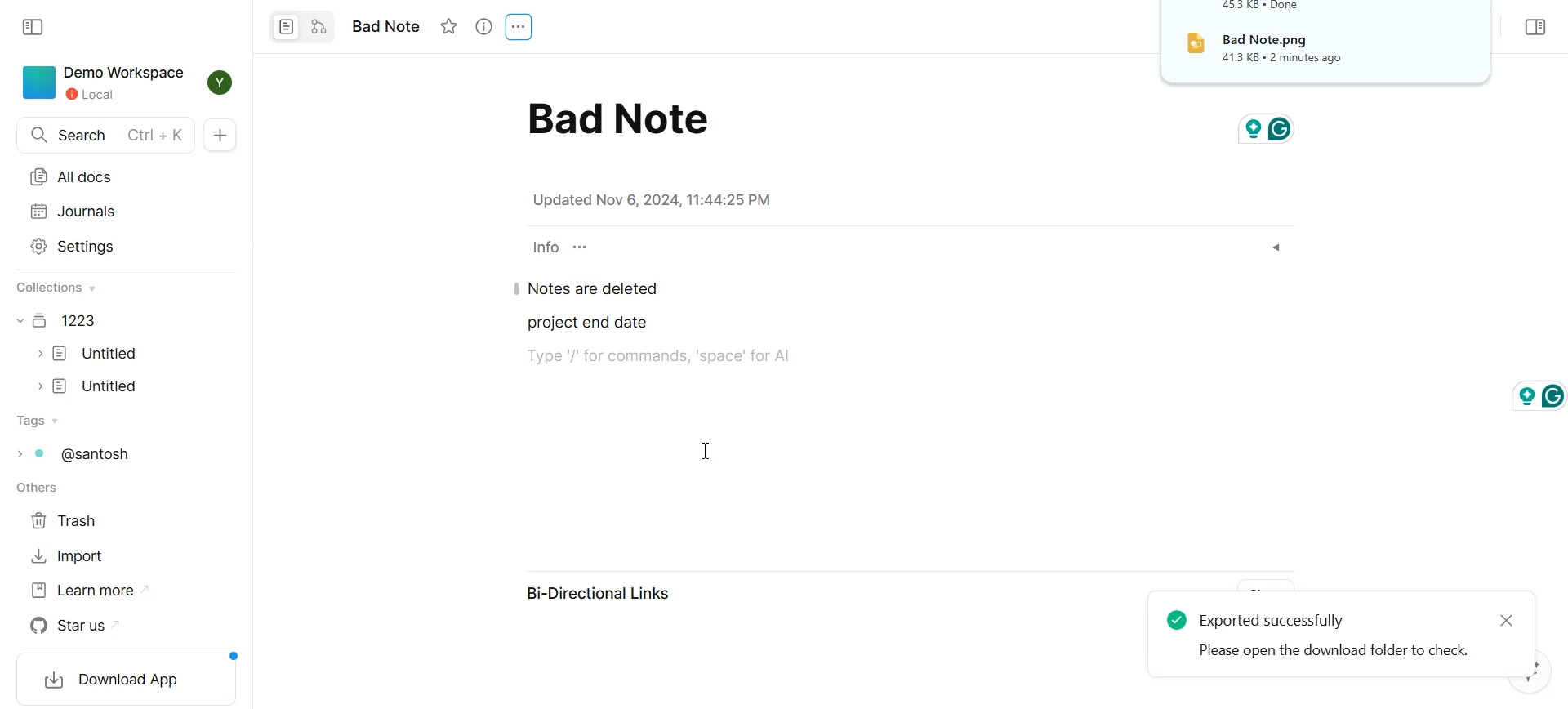 The height and width of the screenshot is (709, 1568). What do you see at coordinates (1267, 125) in the screenshot?
I see `grammarly` at bounding box center [1267, 125].